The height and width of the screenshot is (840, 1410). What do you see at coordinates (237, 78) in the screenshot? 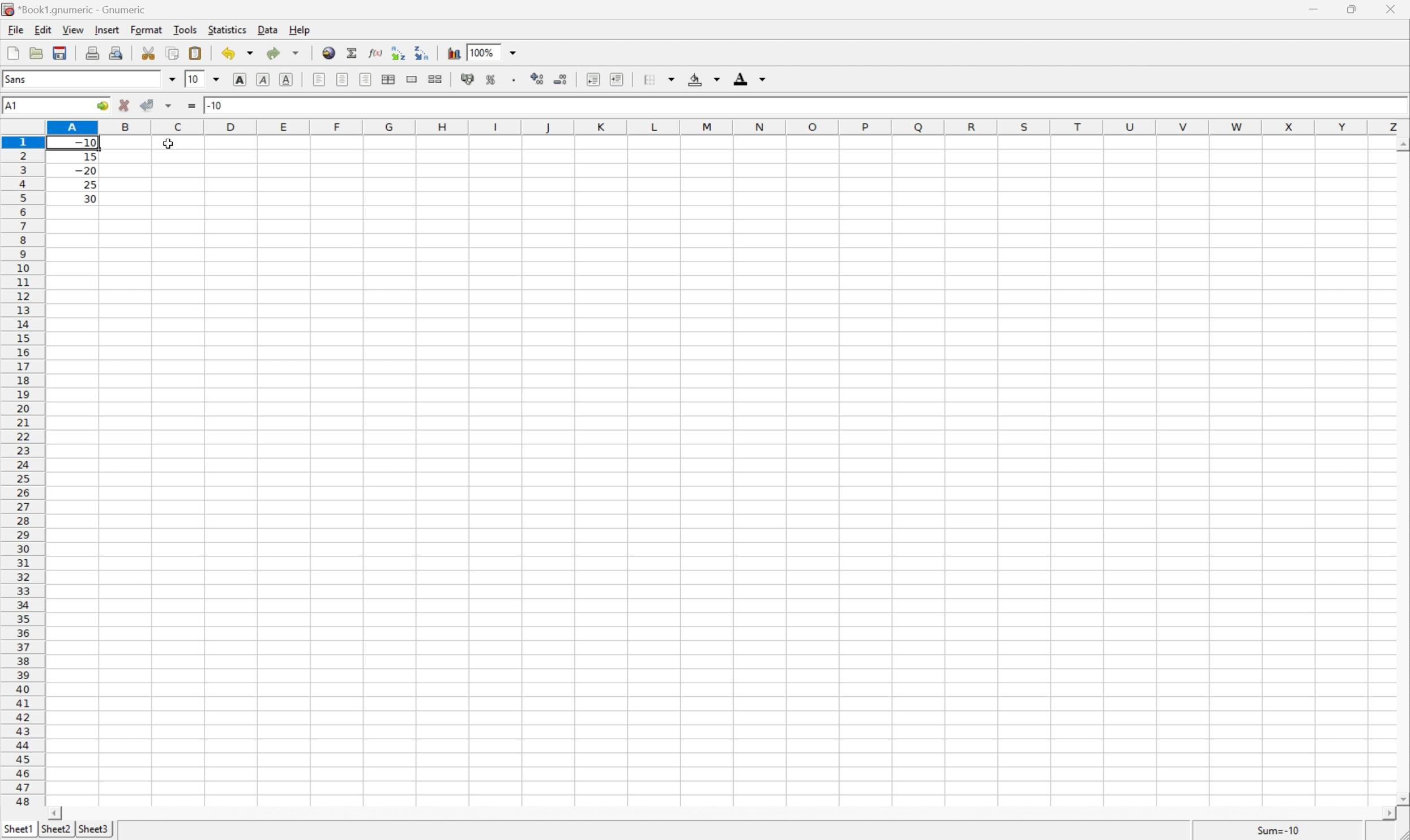
I see `bold` at bounding box center [237, 78].